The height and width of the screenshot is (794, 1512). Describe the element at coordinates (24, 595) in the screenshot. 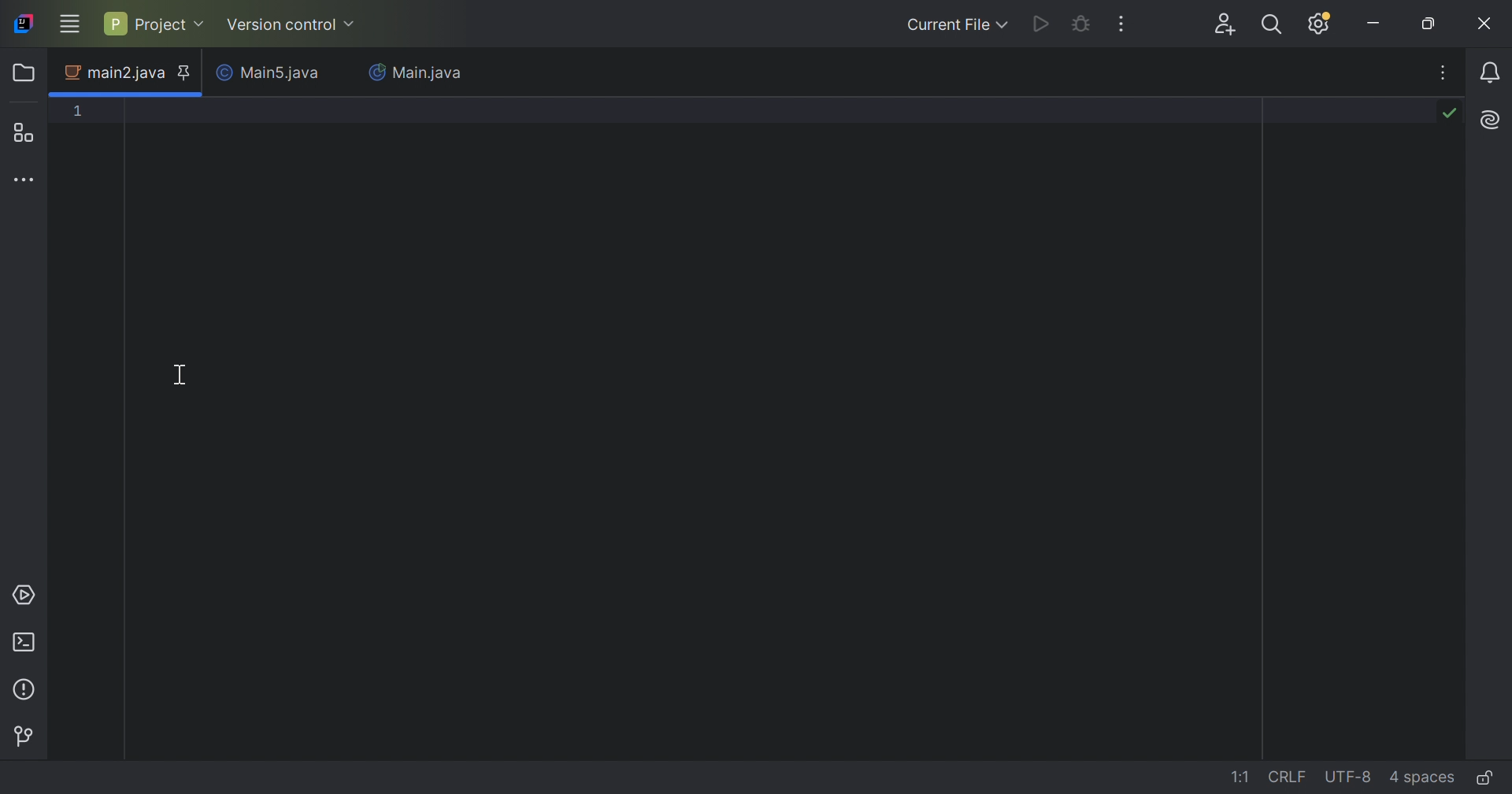

I see `Services` at that location.